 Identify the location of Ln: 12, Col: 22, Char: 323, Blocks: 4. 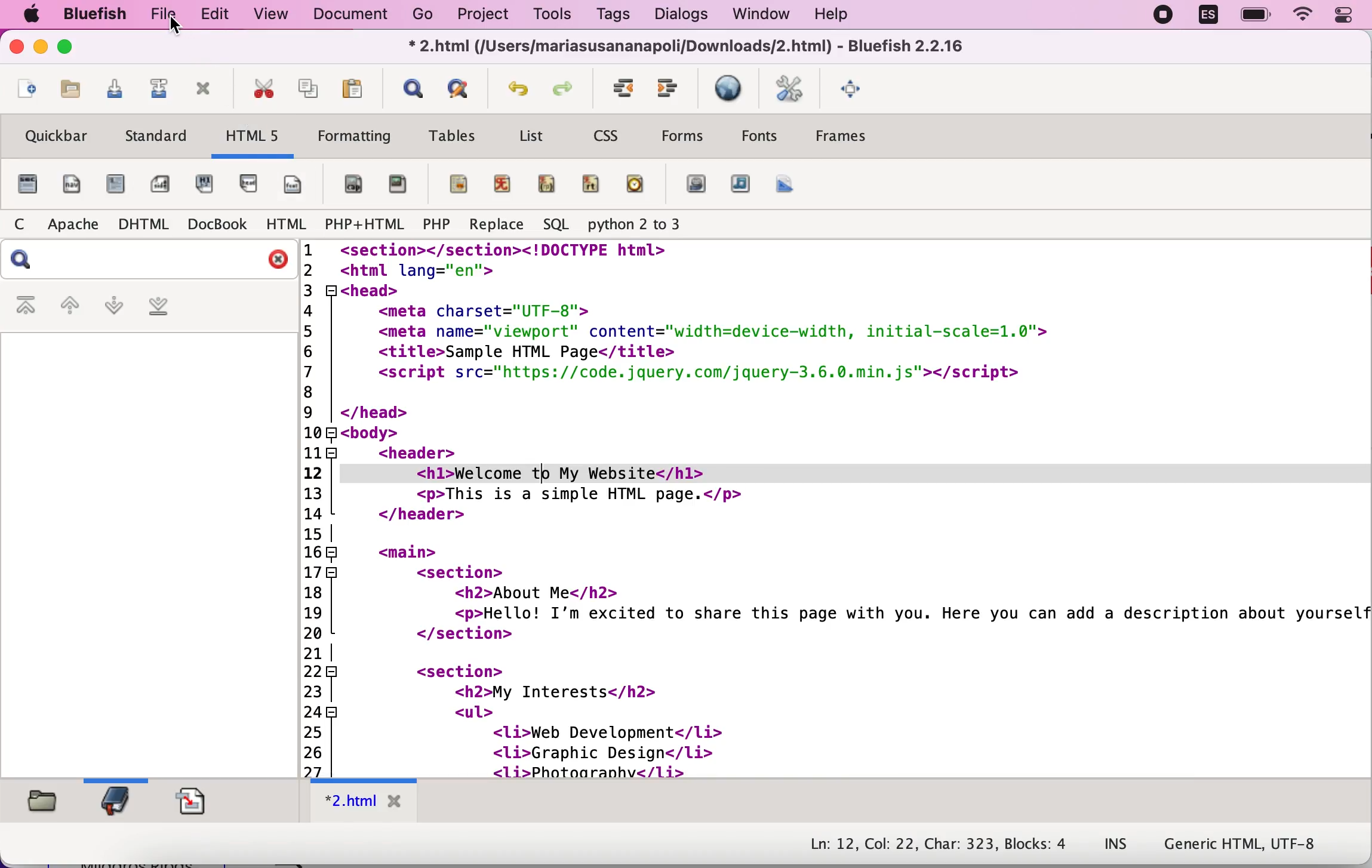
(936, 841).